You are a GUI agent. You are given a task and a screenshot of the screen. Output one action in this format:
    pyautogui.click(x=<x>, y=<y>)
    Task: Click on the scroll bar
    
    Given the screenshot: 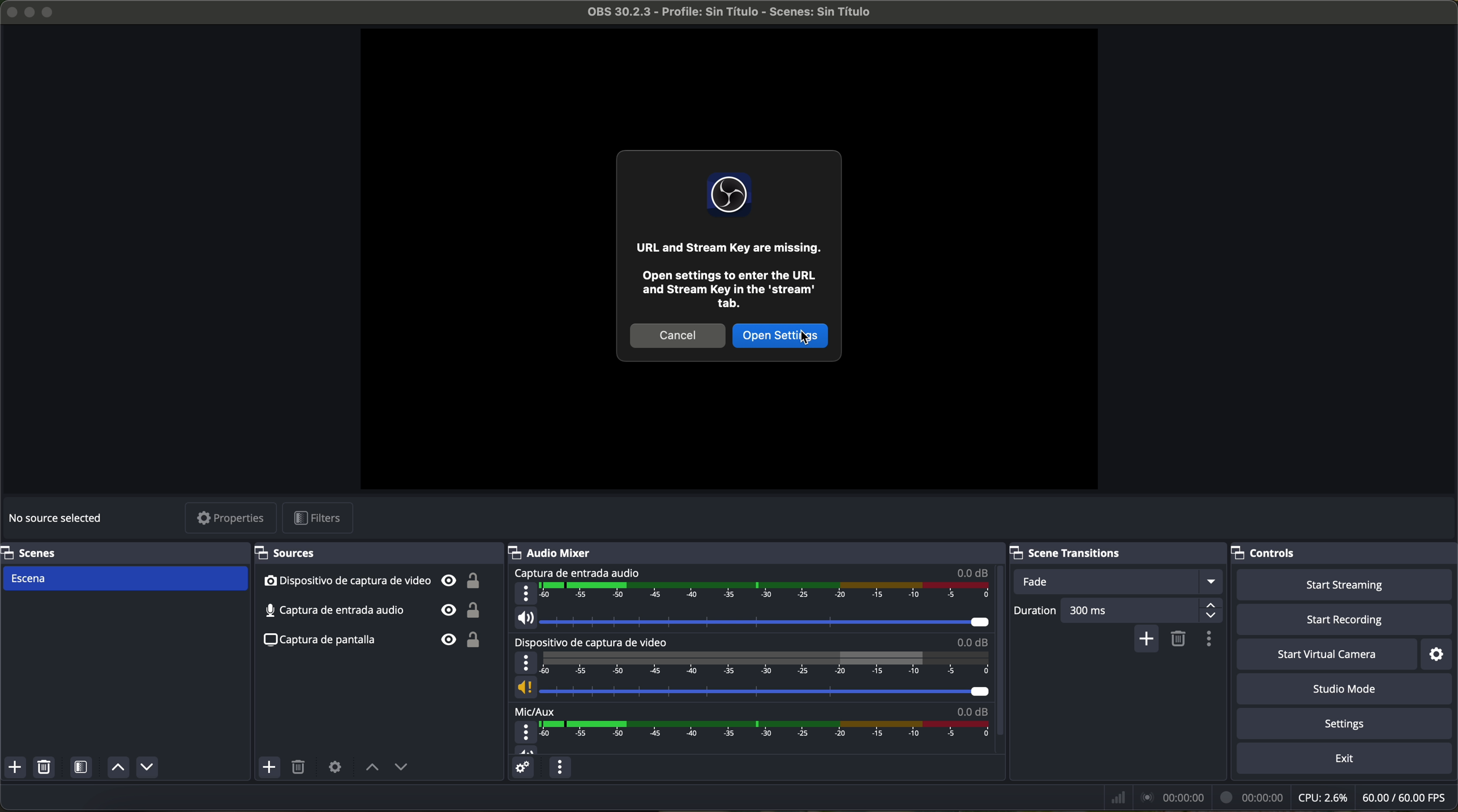 What is the action you would take?
    pyautogui.click(x=998, y=651)
    